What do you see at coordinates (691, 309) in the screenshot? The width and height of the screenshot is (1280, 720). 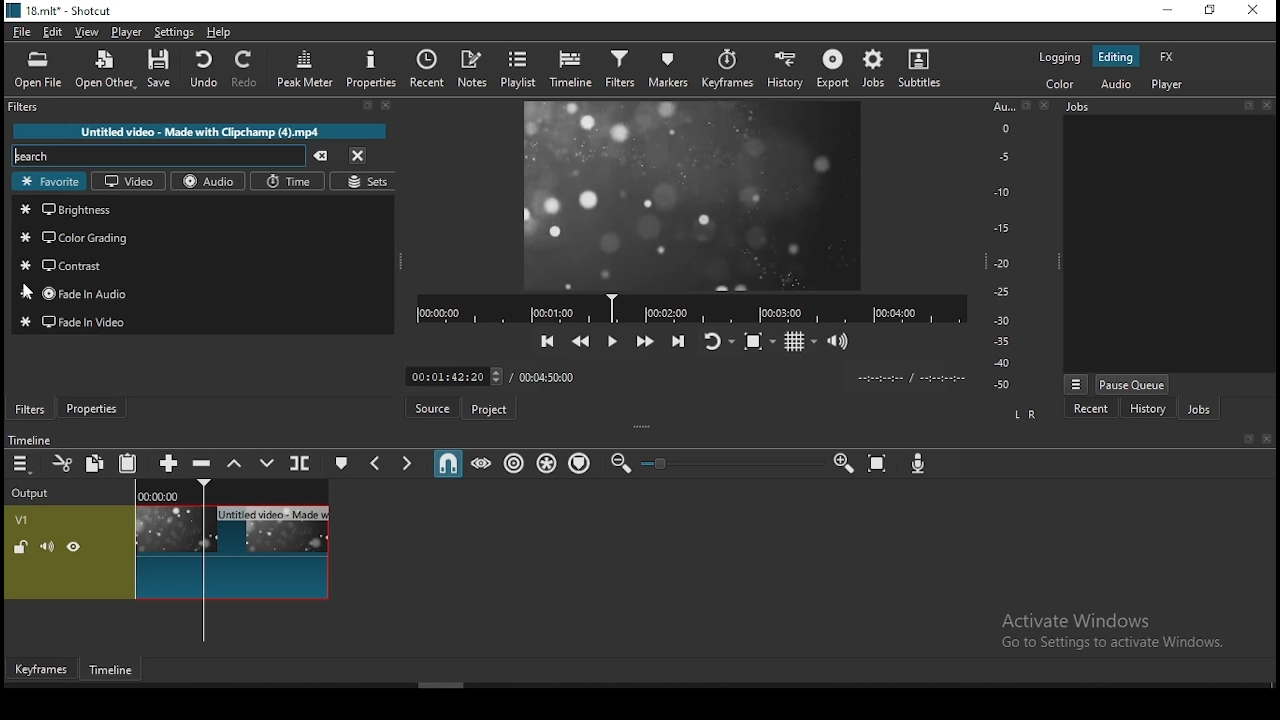 I see `Timeline Navigator` at bounding box center [691, 309].